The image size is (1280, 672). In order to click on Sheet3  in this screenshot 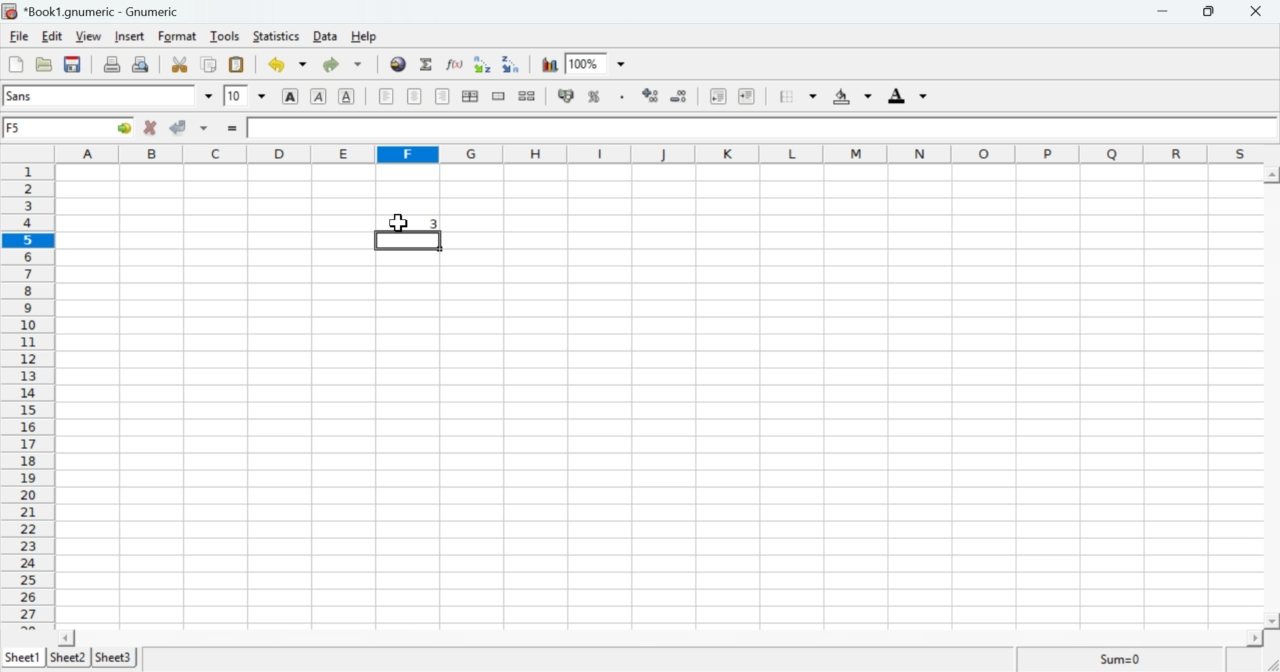, I will do `click(118, 658)`.